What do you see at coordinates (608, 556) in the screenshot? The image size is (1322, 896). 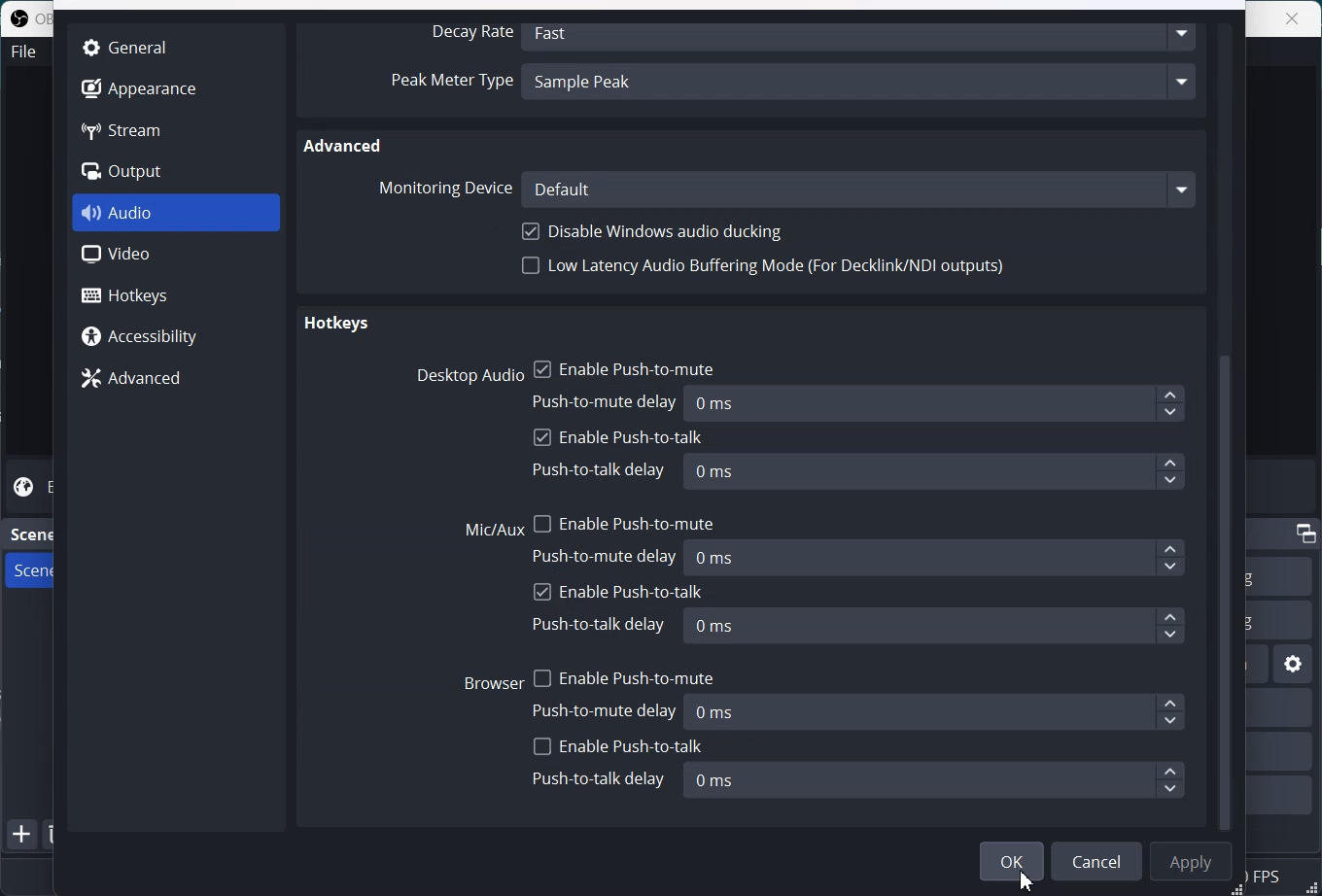 I see `Push-to-mute` at bounding box center [608, 556].